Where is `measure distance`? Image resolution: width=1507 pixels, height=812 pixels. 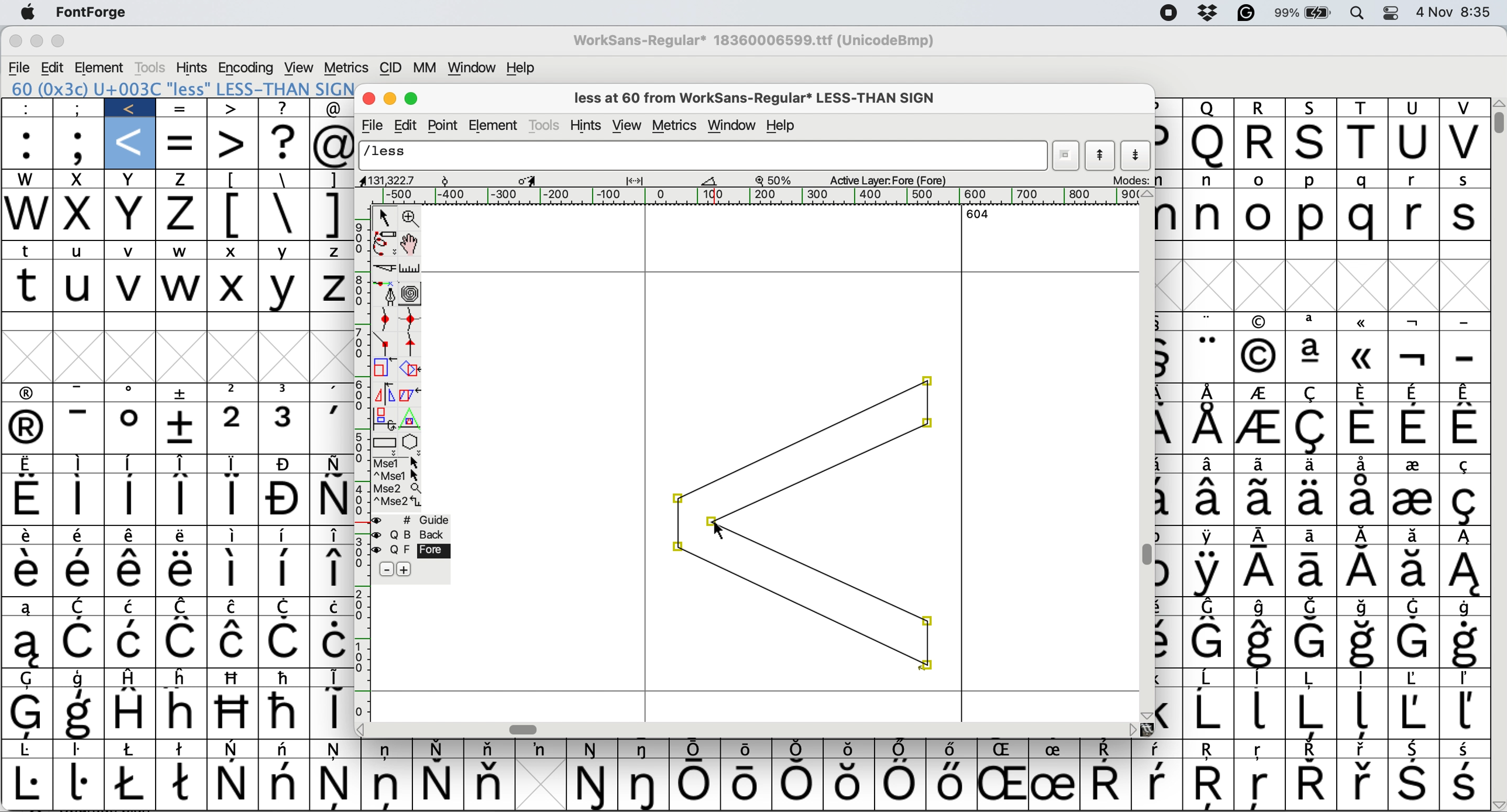
measure distance is located at coordinates (412, 267).